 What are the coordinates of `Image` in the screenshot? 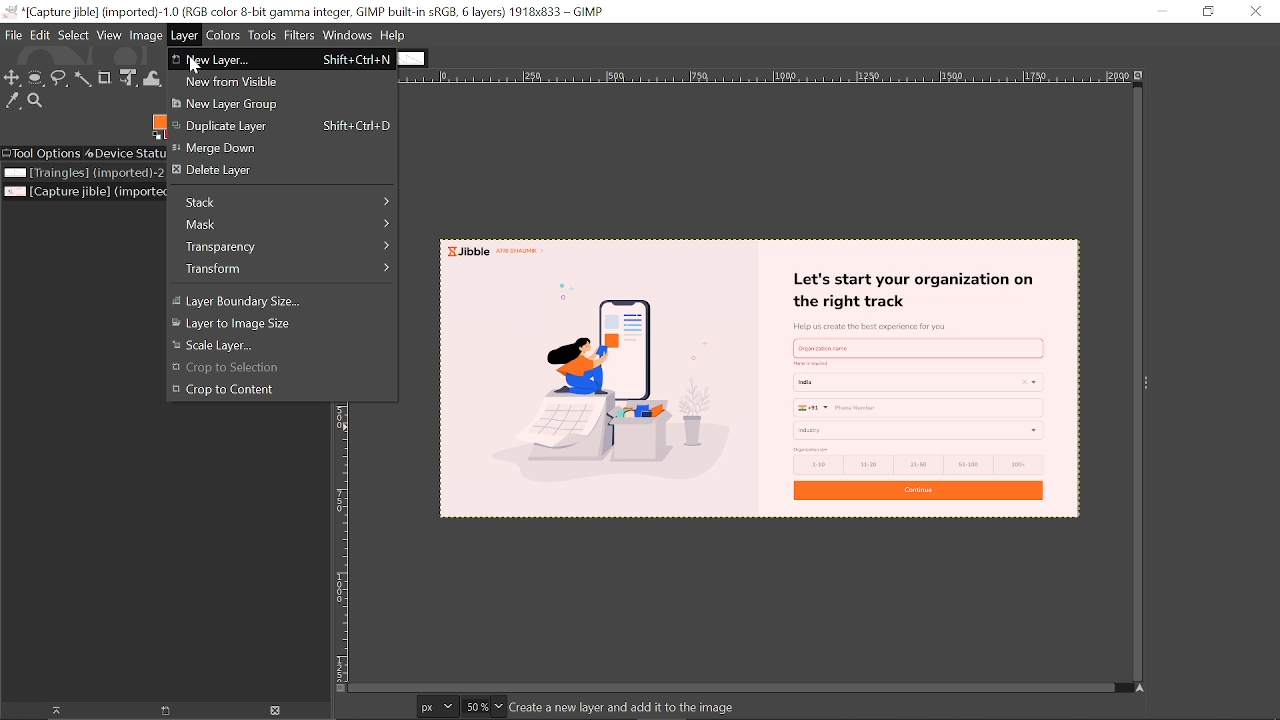 It's located at (147, 35).